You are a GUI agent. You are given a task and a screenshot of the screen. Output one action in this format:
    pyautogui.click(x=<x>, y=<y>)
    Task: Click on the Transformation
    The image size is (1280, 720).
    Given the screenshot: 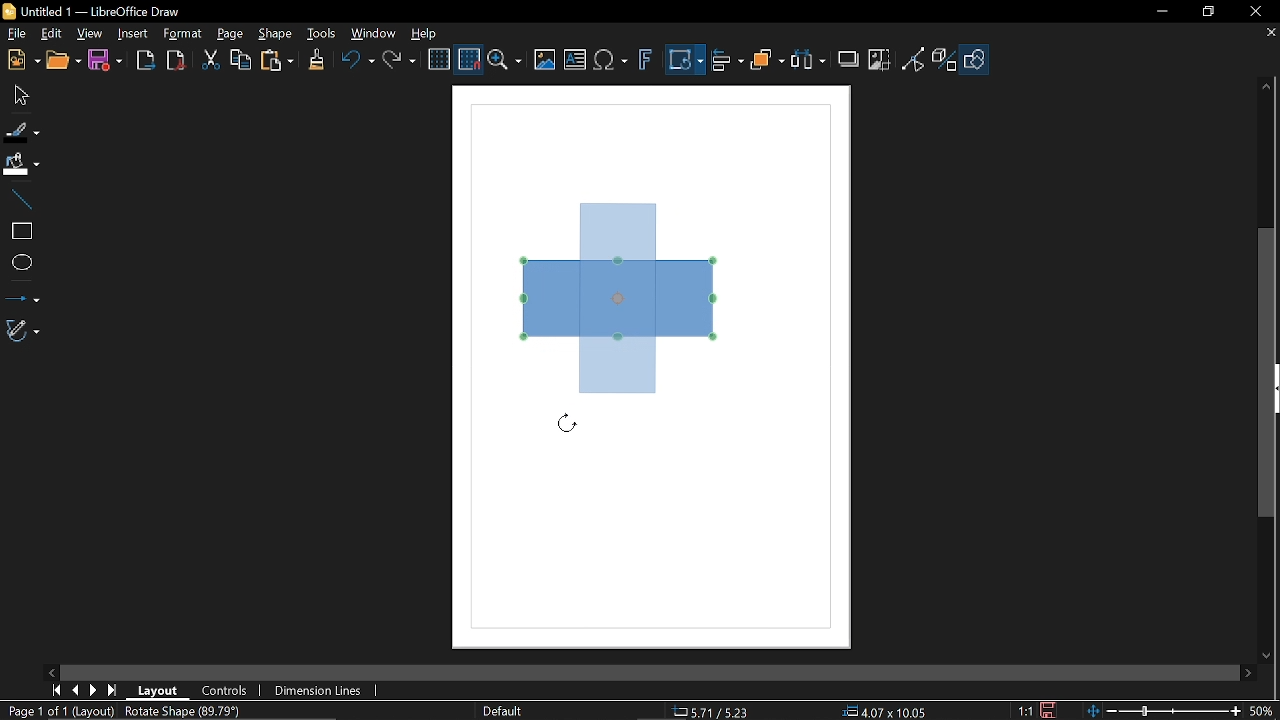 What is the action you would take?
    pyautogui.click(x=685, y=62)
    